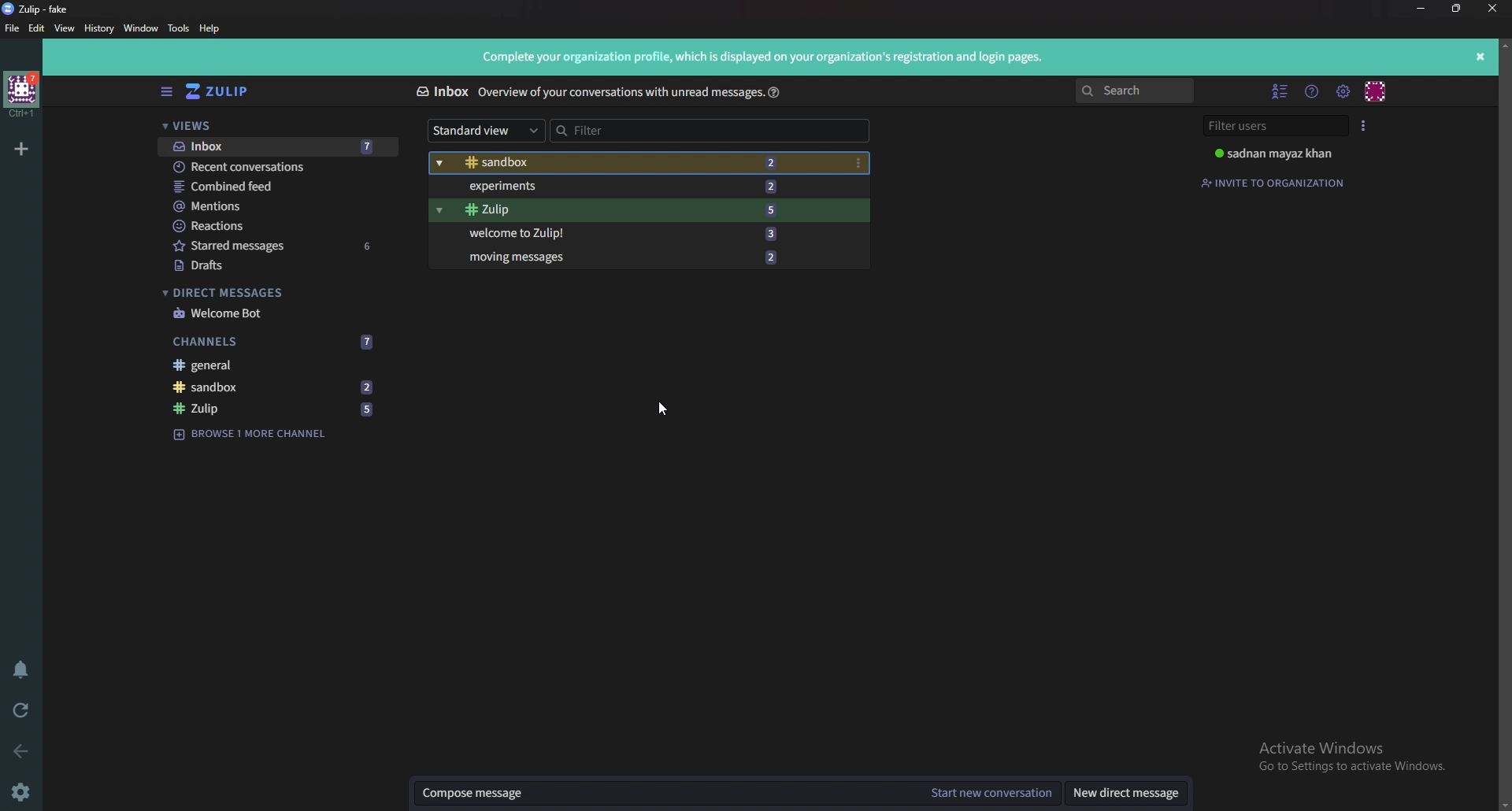 This screenshot has width=1512, height=811. Describe the element at coordinates (712, 131) in the screenshot. I see `Filter` at that location.